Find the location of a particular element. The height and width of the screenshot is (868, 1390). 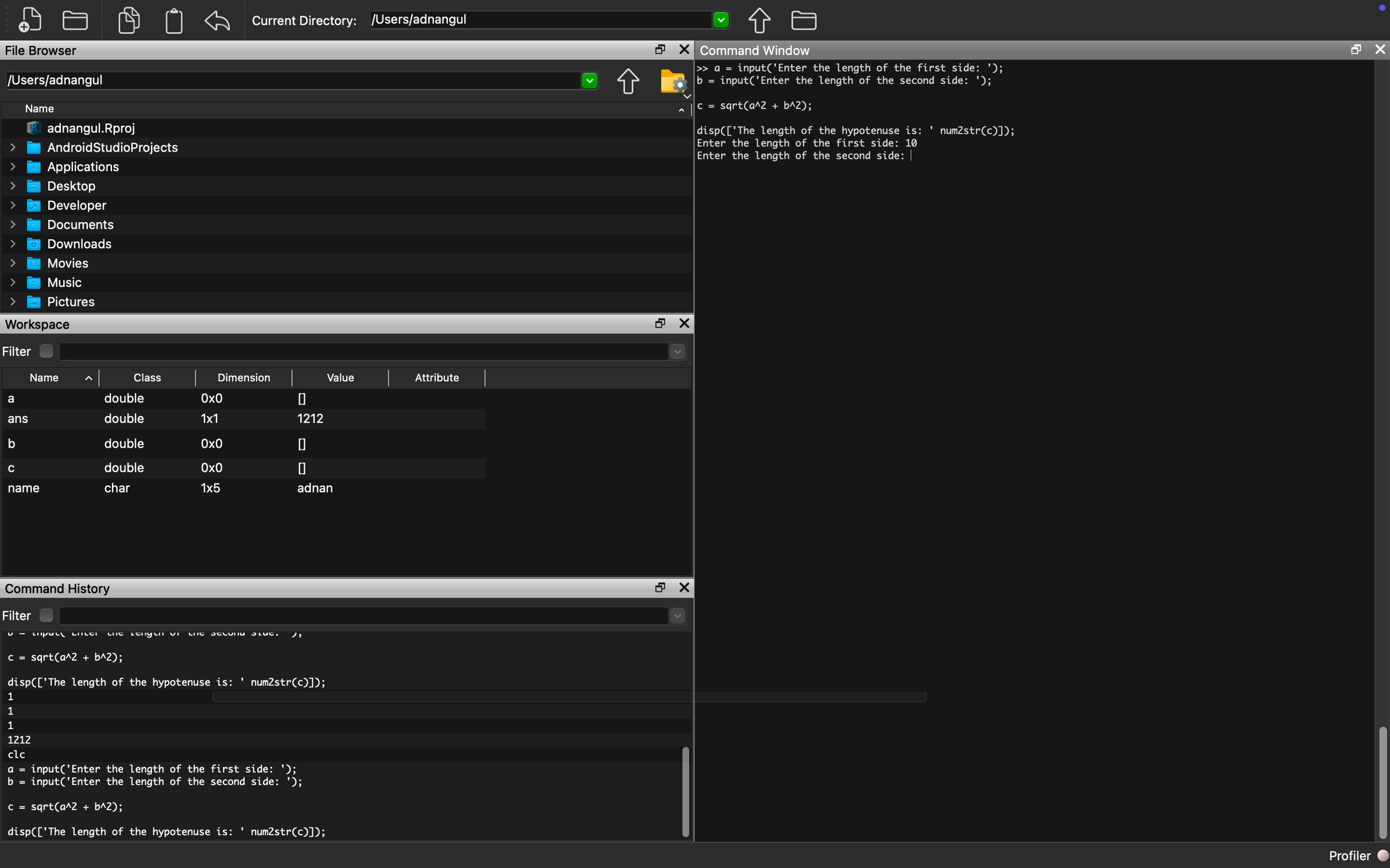

Dimension is located at coordinates (248, 378).